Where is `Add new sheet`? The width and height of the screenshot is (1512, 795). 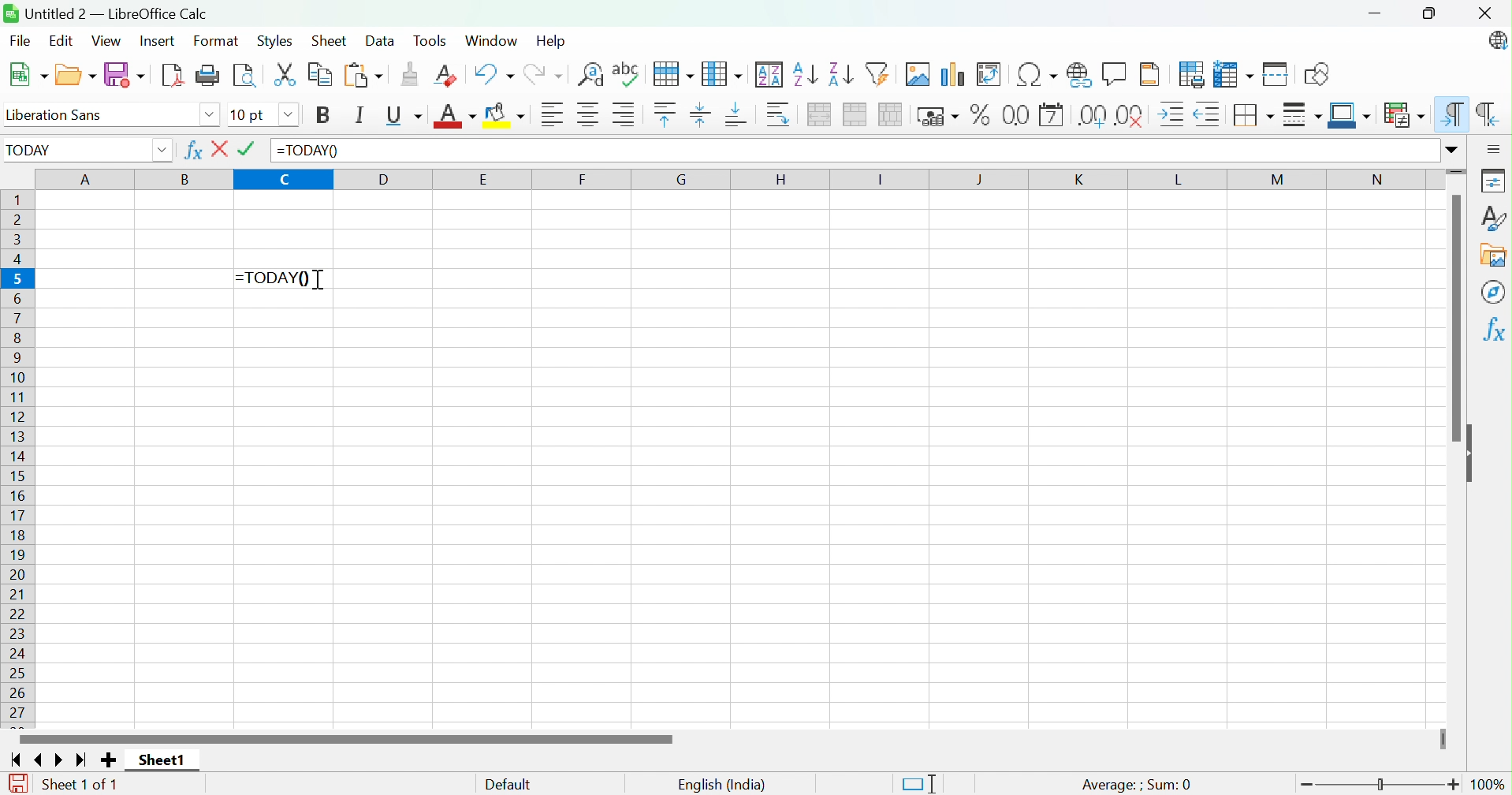 Add new sheet is located at coordinates (109, 760).